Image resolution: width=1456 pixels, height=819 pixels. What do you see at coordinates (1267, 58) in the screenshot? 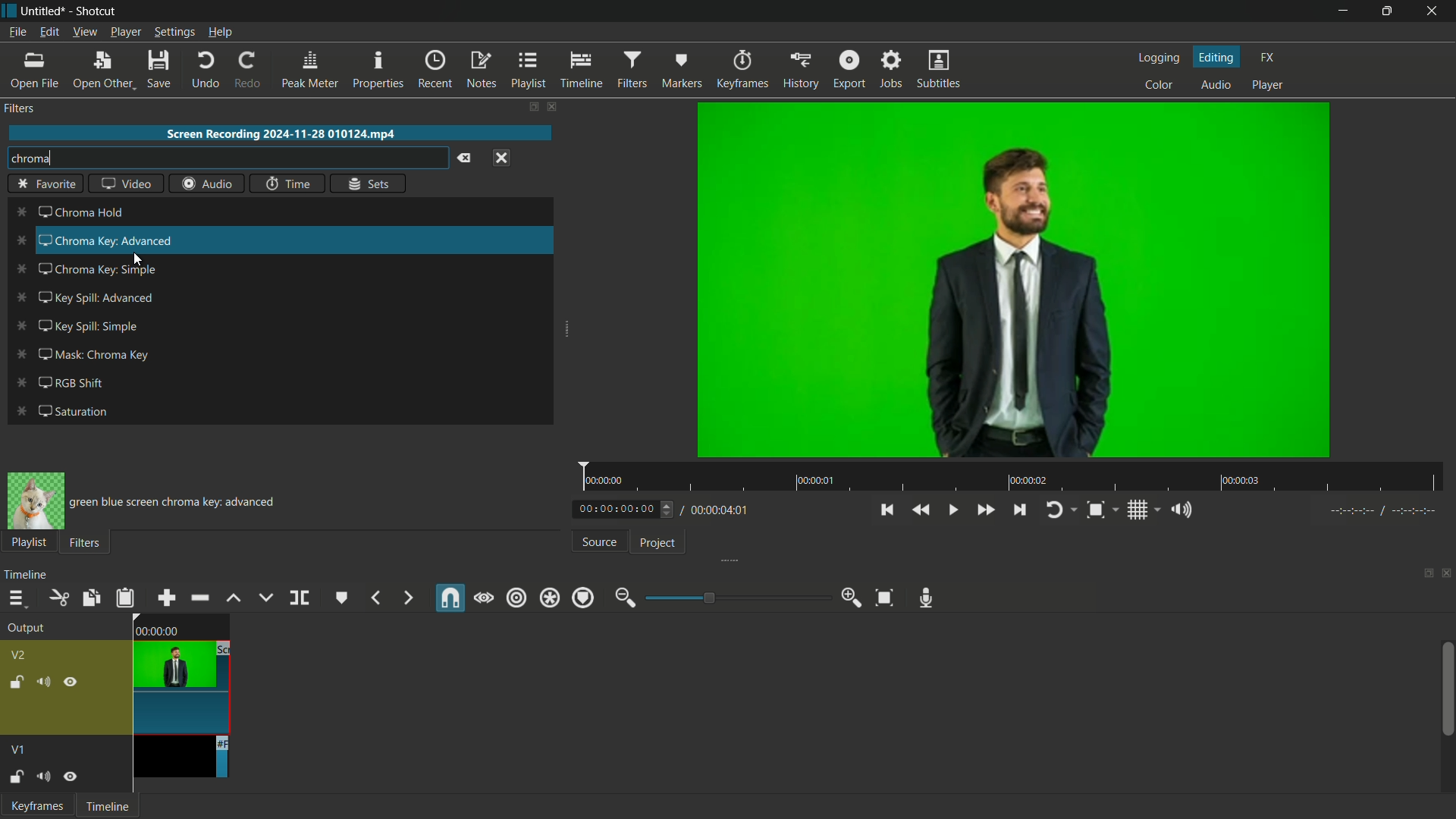
I see `fx` at bounding box center [1267, 58].